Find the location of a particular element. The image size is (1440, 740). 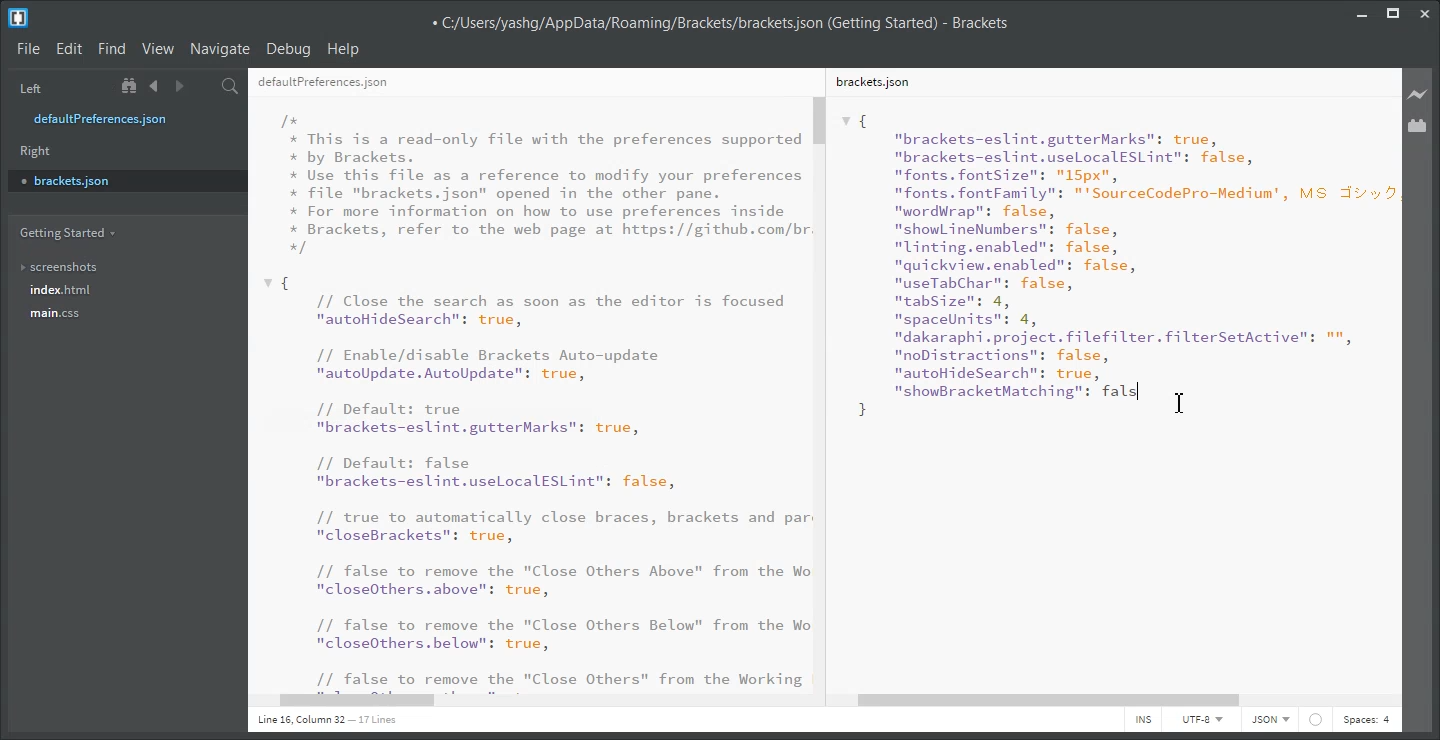

{"brackets-eslint.gutterMarks": true,"brackets-eslint.uselocalESLint": false,"fonts. fontSize": "15px","fonts. fontFamily": "'SourceCodePro-Medium', MS J:"wordWrap": false,"show ineNumbers": false,"linting.enabled": false,"quickview.enabled": false,"useTabChar": false,"tabSize": 4,"spaceUnits": 4,"dakaraphi.project. filefilter.filterSetActive": "","noDistractions": false,"autoHideSearch”: true,nshowBracketMatching": fals } is located at coordinates (1117, 266).